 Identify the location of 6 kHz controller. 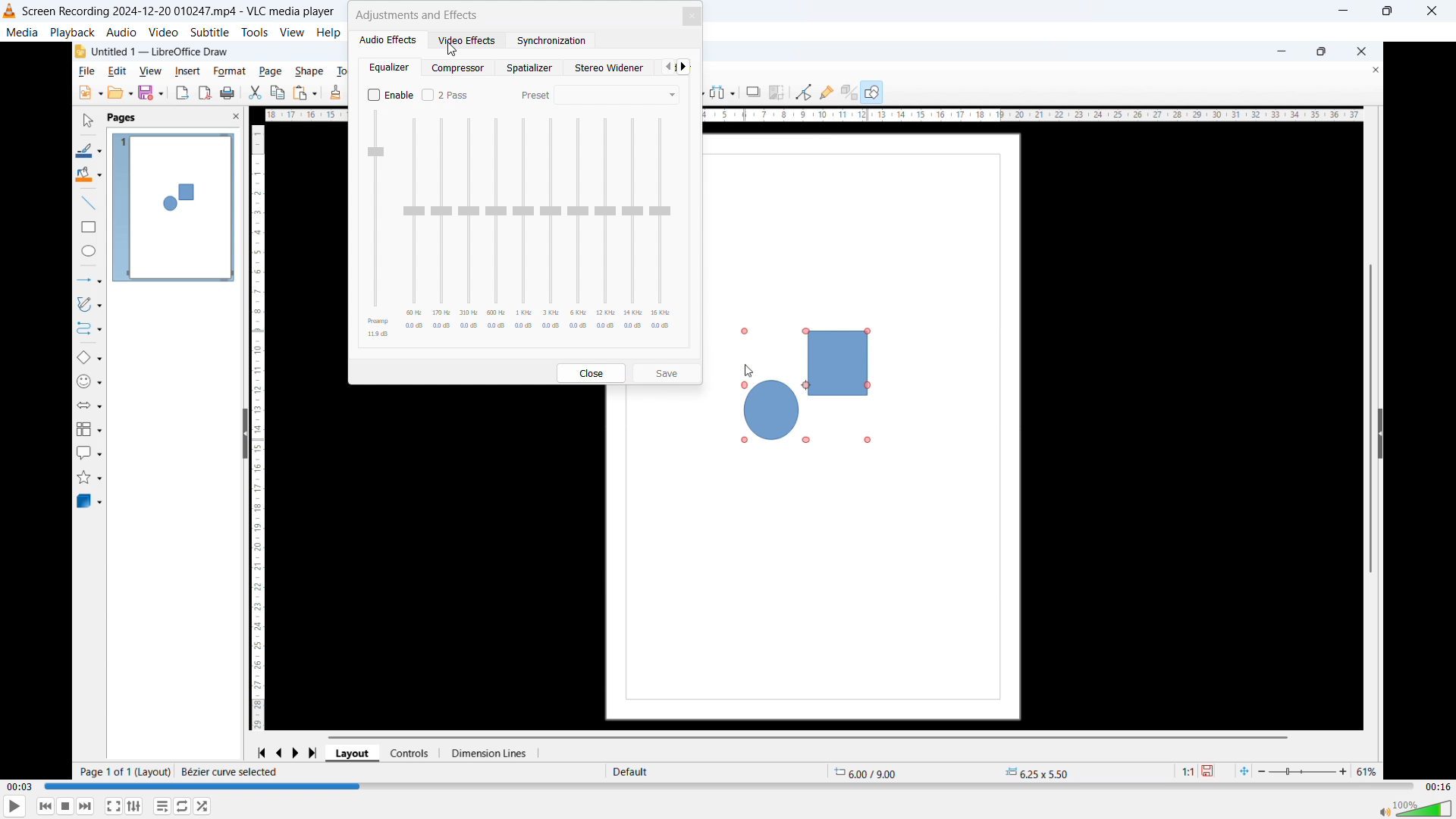
(578, 226).